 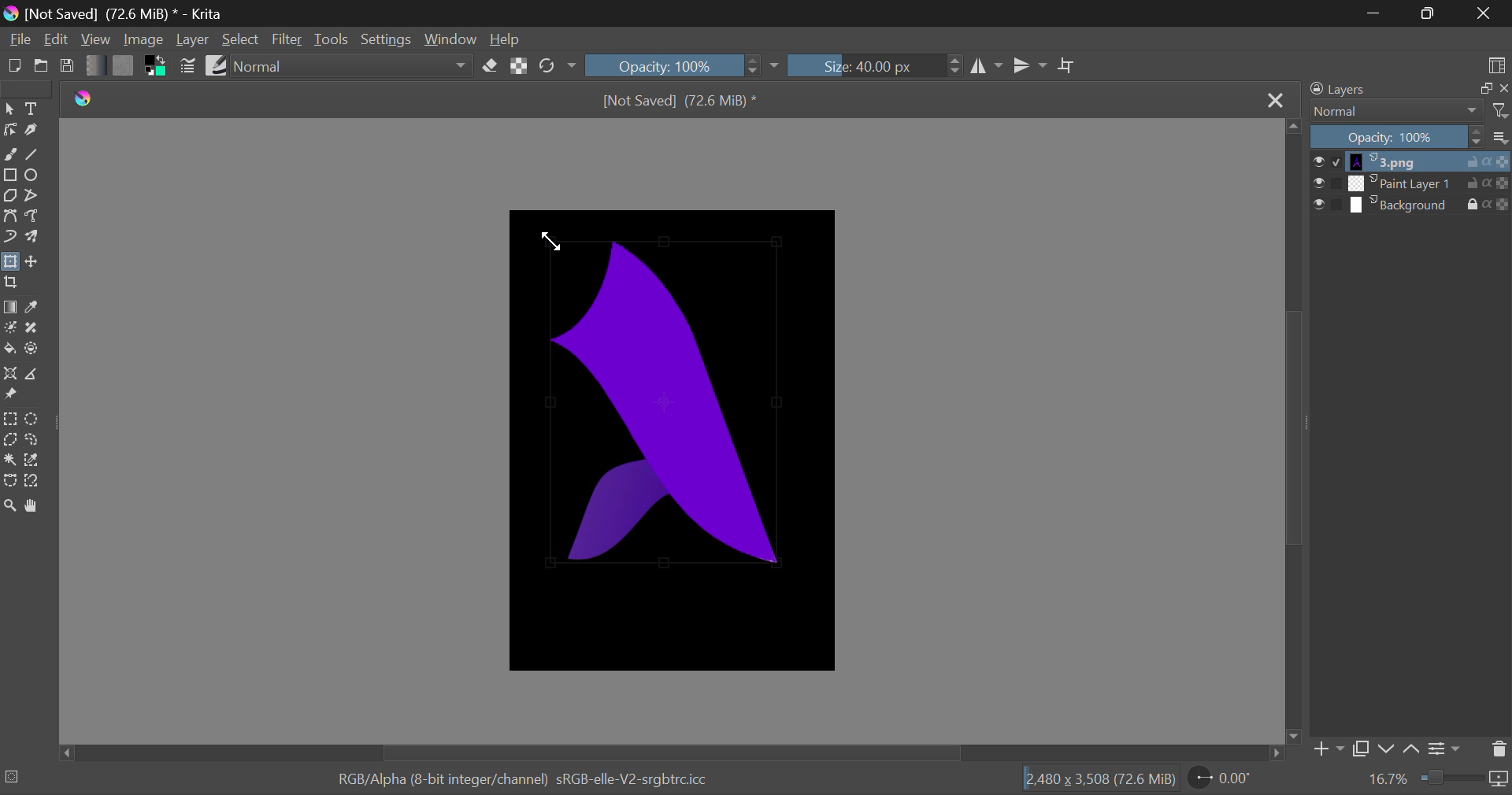 What do you see at coordinates (35, 134) in the screenshot?
I see `Calligraphic Tool` at bounding box center [35, 134].